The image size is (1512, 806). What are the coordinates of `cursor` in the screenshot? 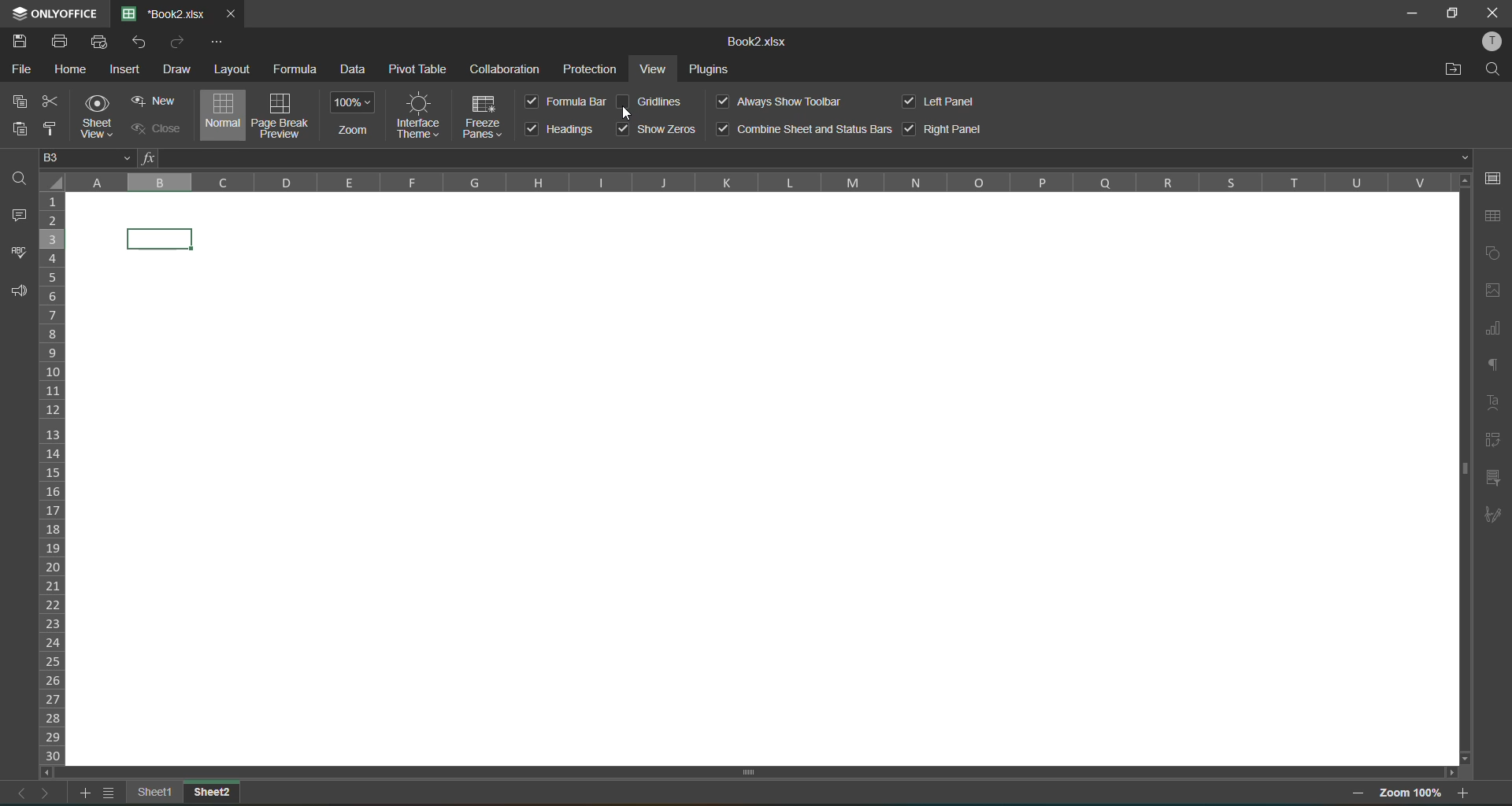 It's located at (627, 116).